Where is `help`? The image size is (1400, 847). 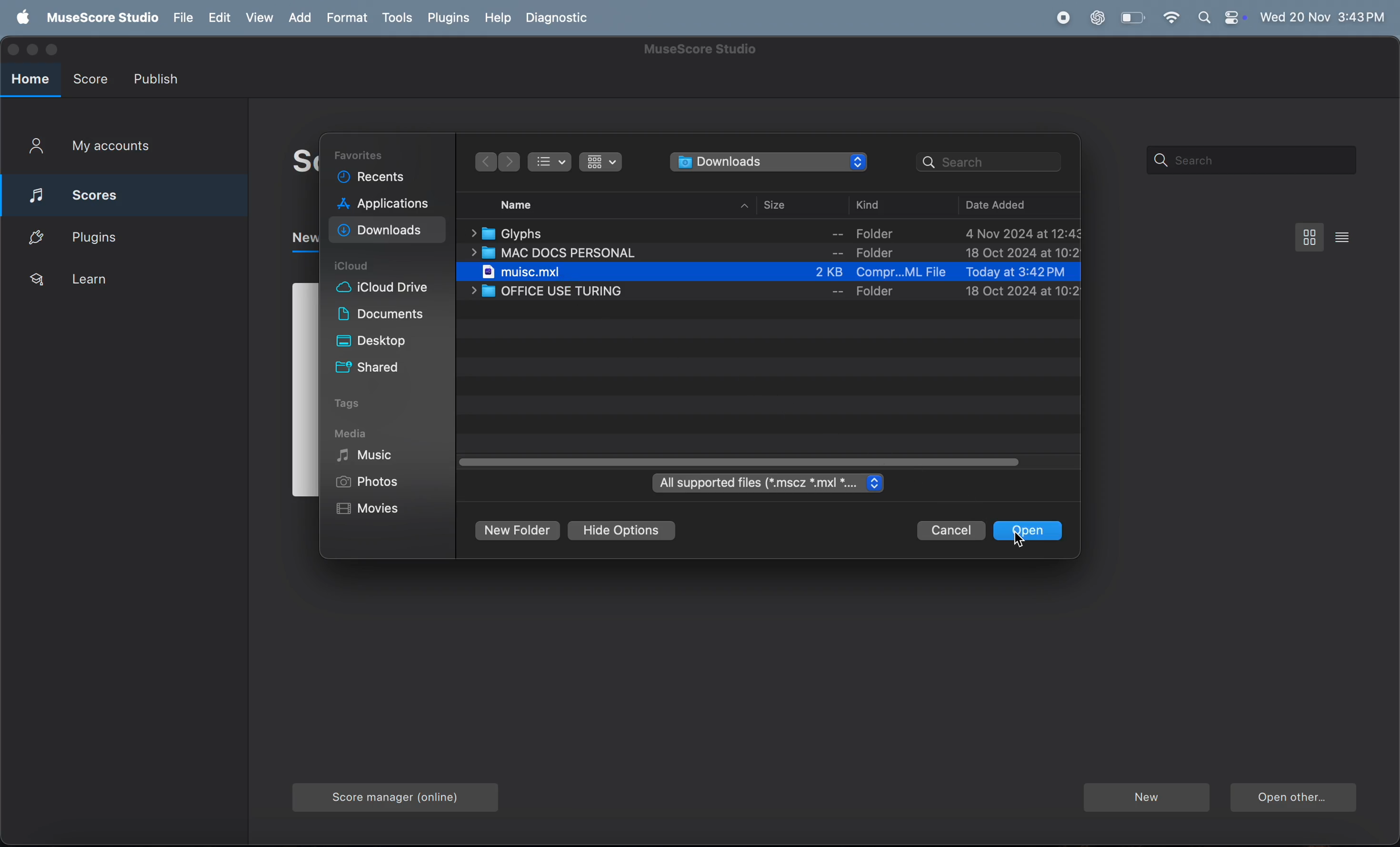
help is located at coordinates (499, 17).